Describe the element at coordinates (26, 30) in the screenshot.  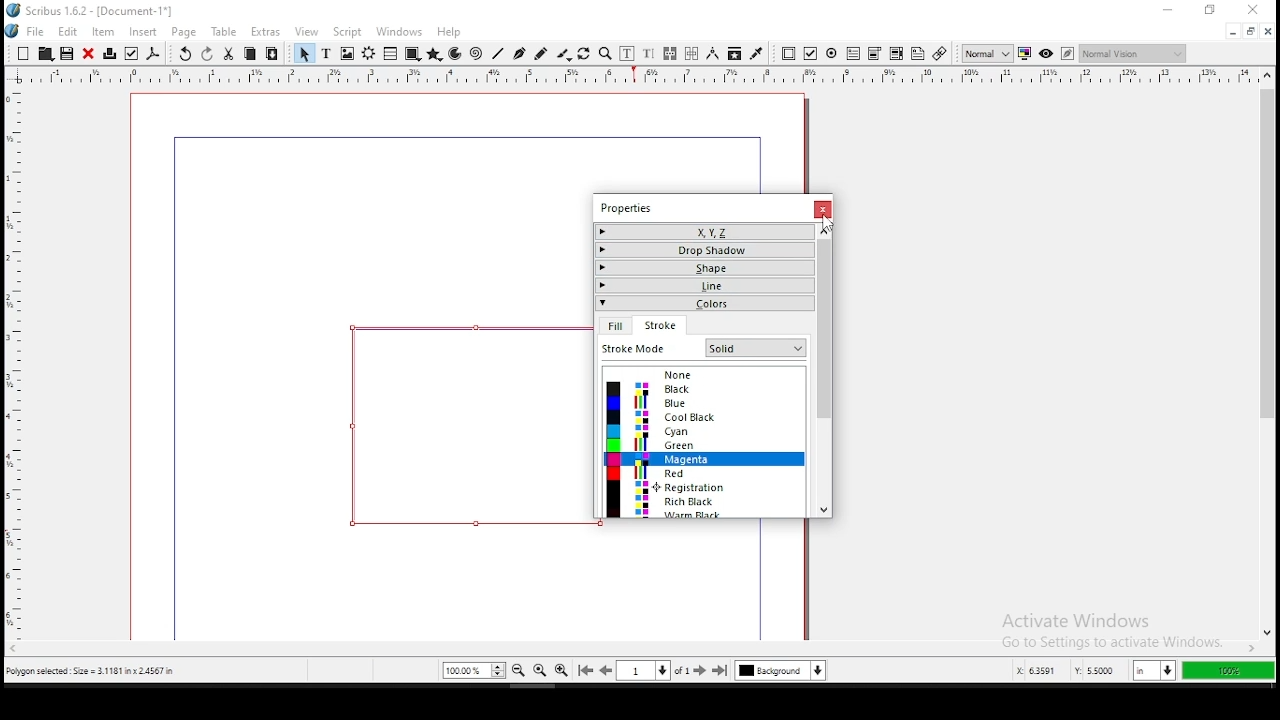
I see `file` at that location.